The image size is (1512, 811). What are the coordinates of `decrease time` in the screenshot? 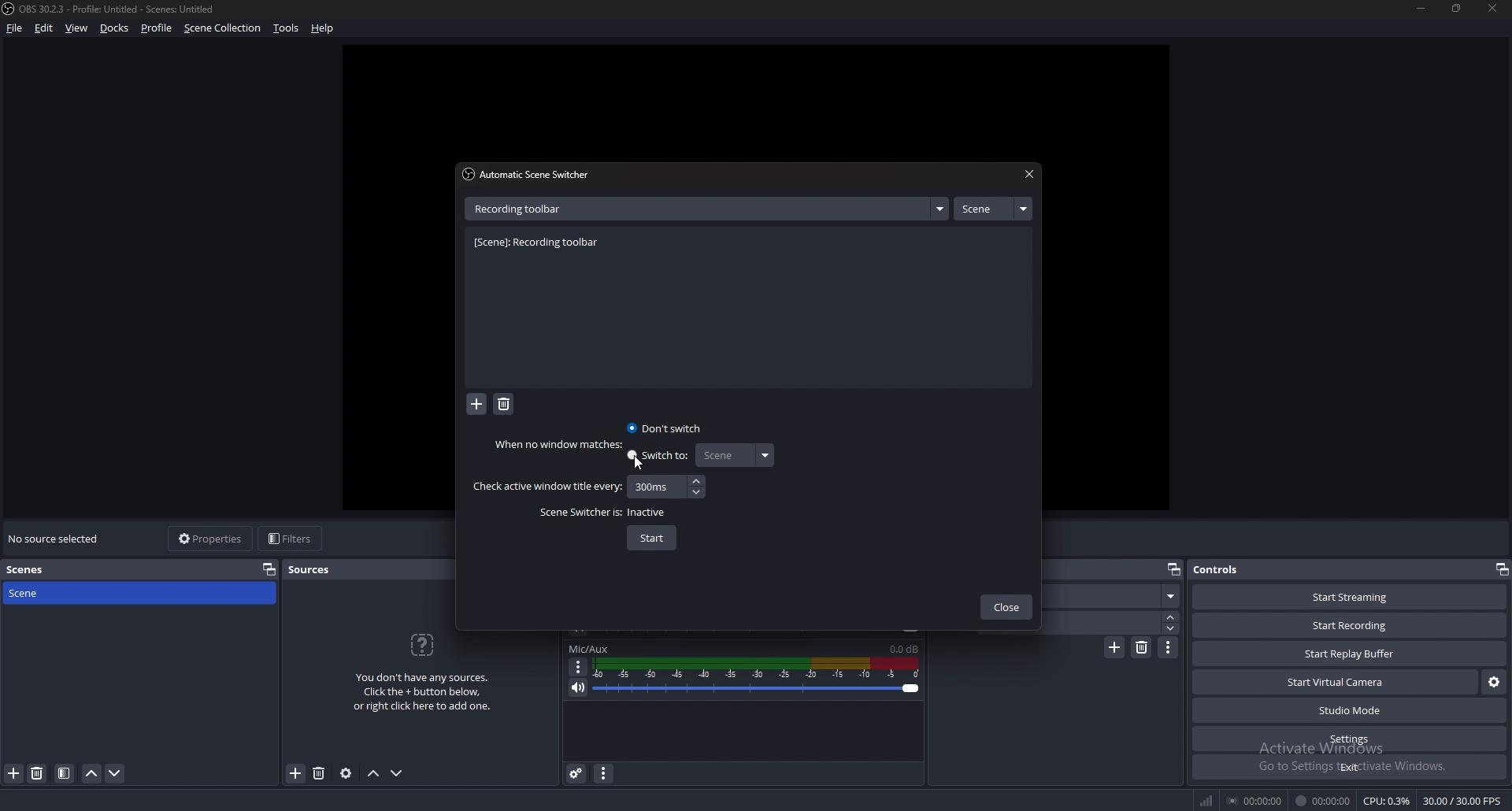 It's located at (699, 491).